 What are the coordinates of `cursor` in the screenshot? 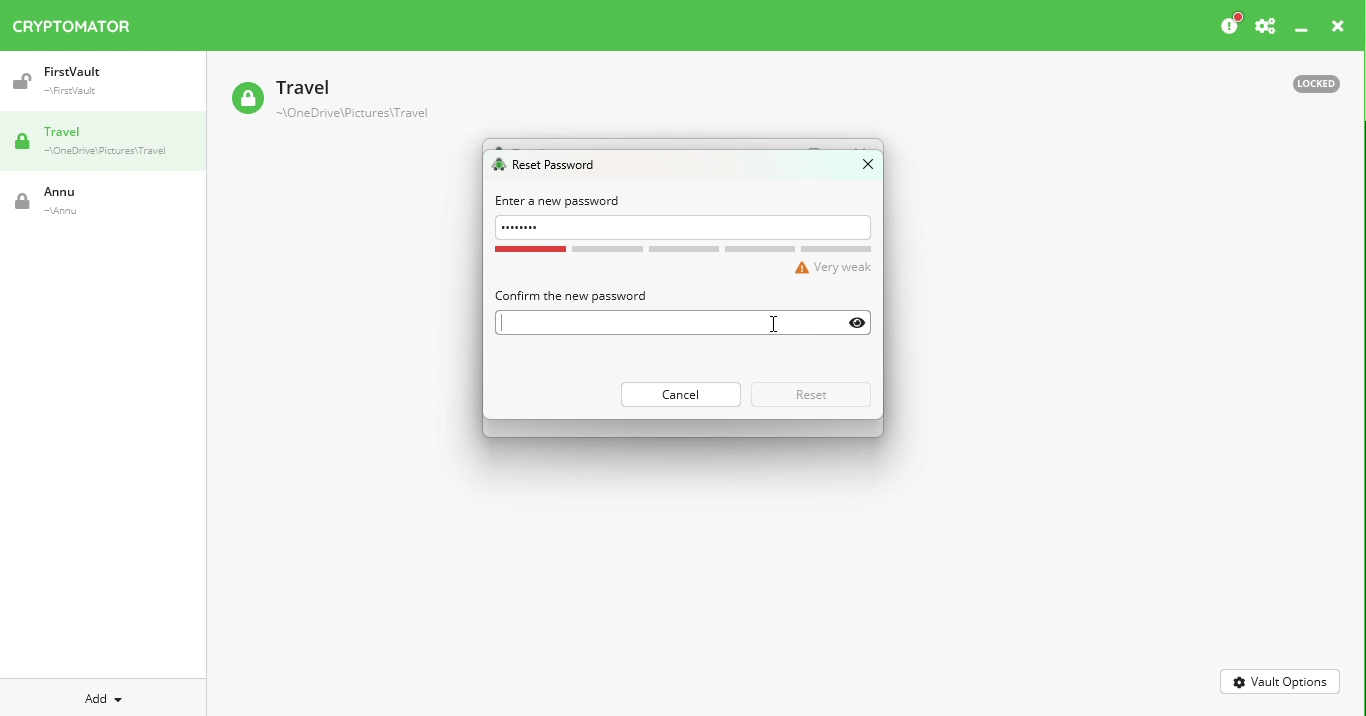 It's located at (775, 327).